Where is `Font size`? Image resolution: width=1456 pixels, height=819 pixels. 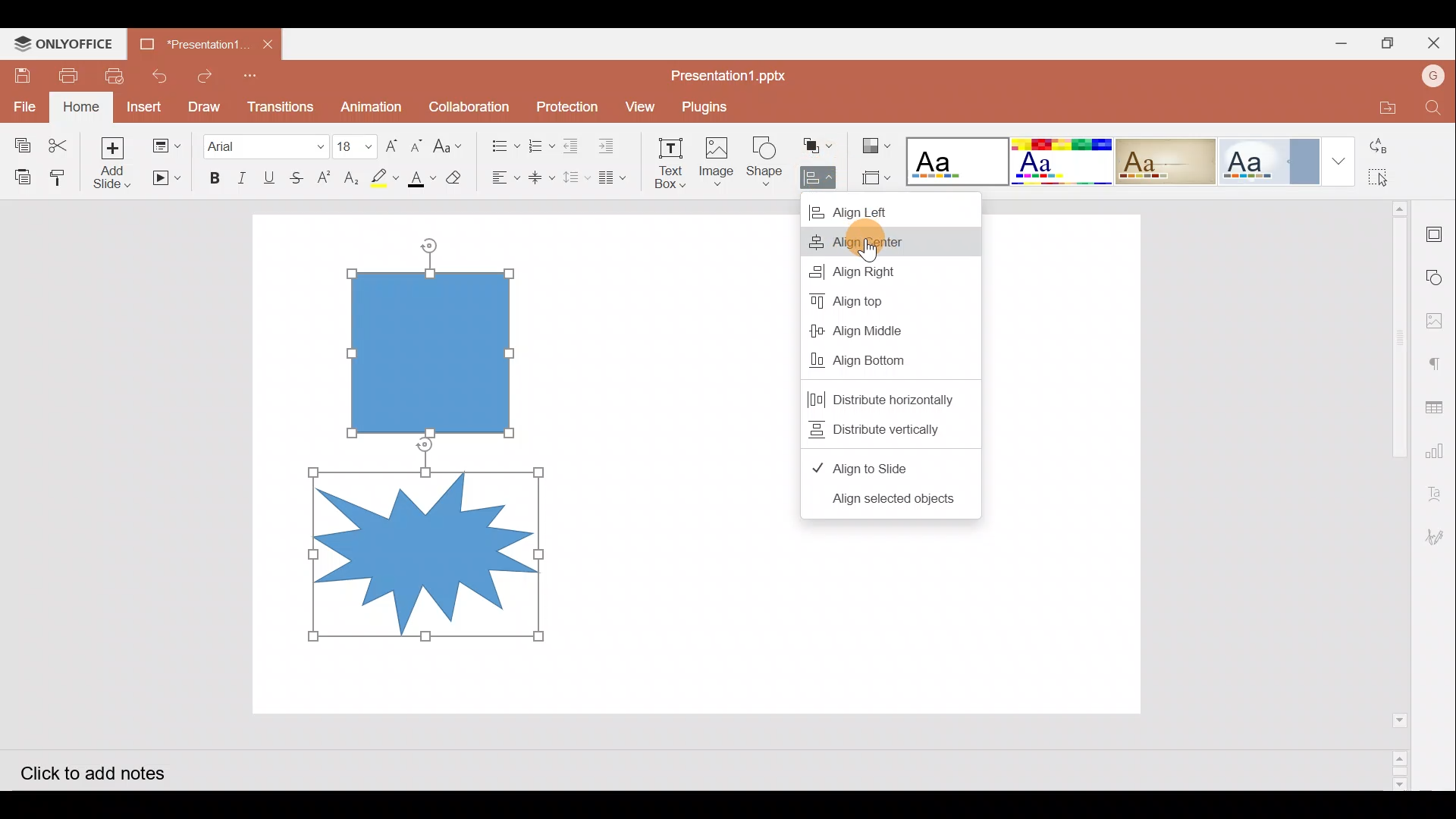 Font size is located at coordinates (353, 140).